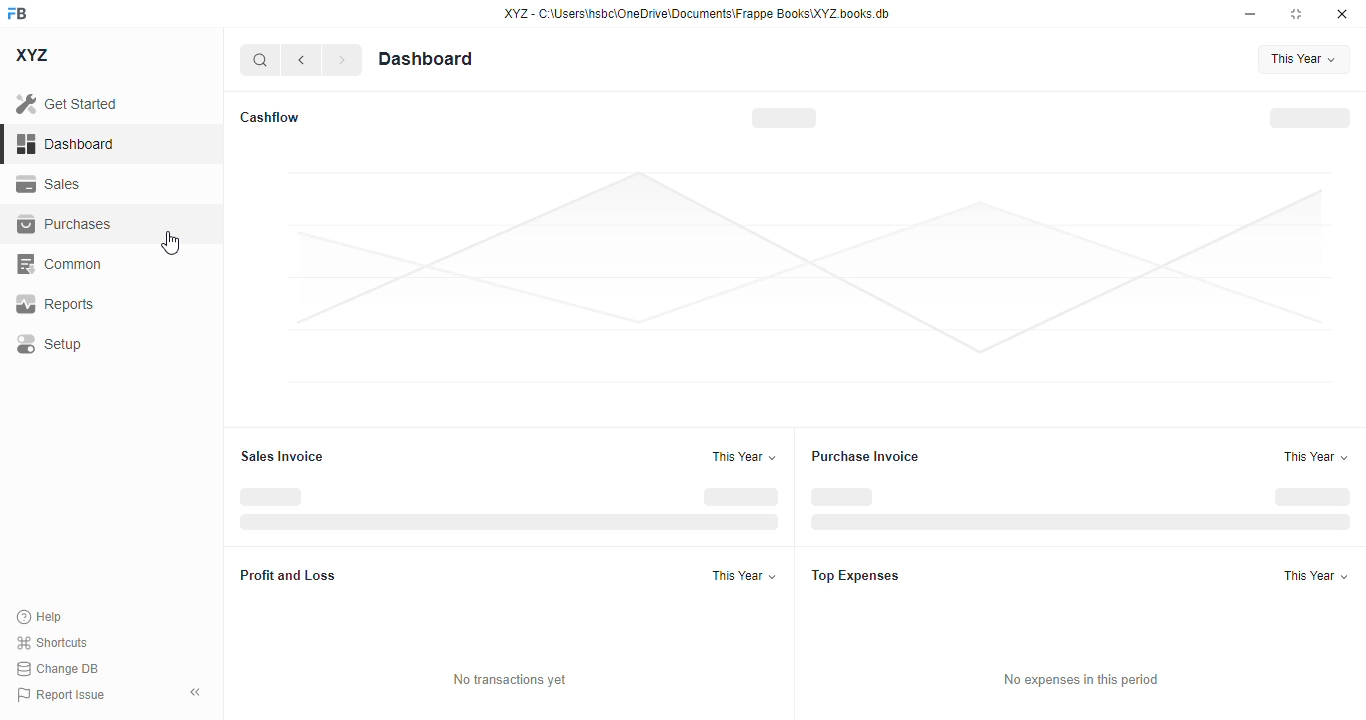 This screenshot has width=1366, height=720. I want to click on minimize, so click(1250, 13).